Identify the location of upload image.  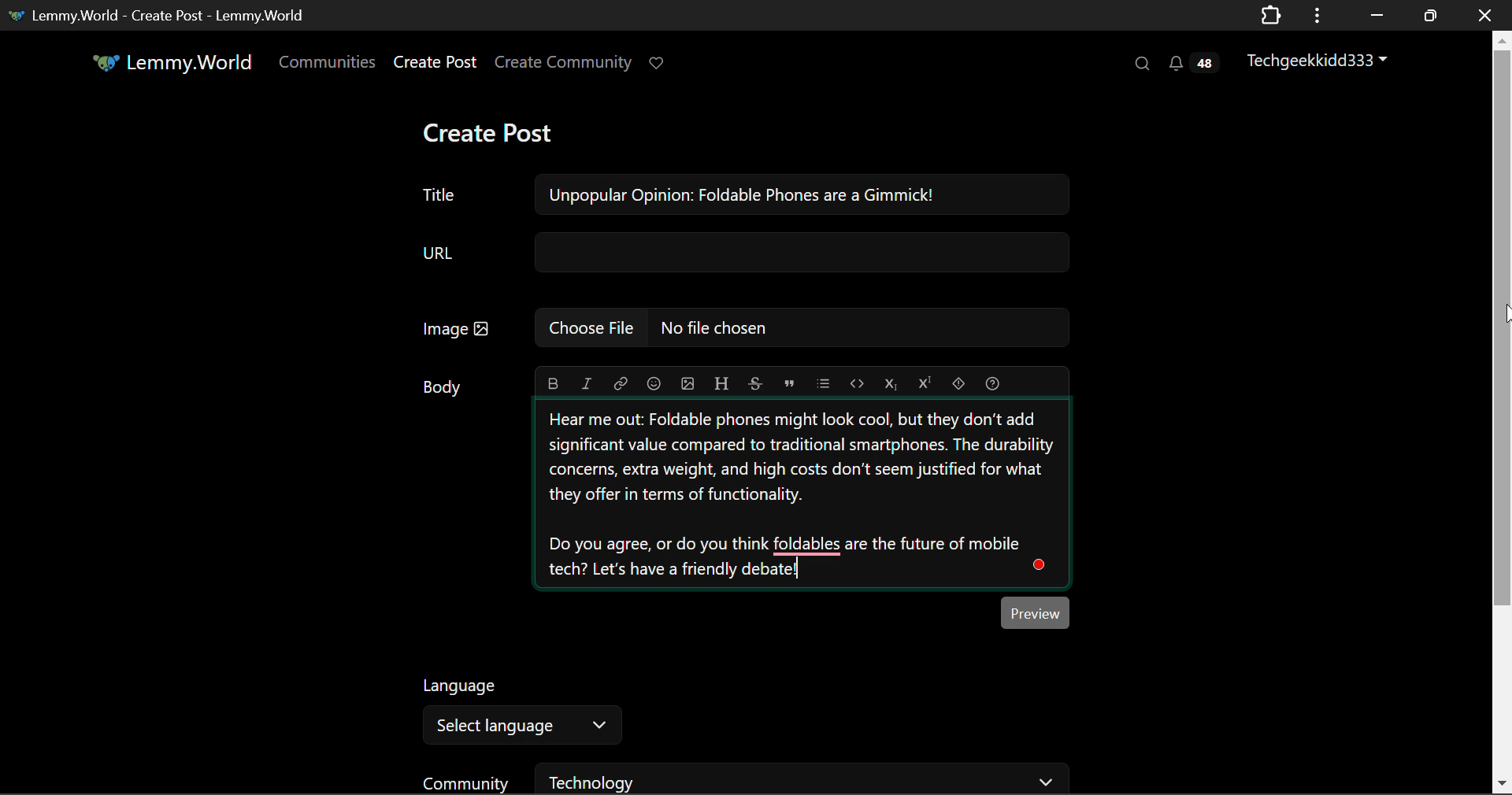
(687, 382).